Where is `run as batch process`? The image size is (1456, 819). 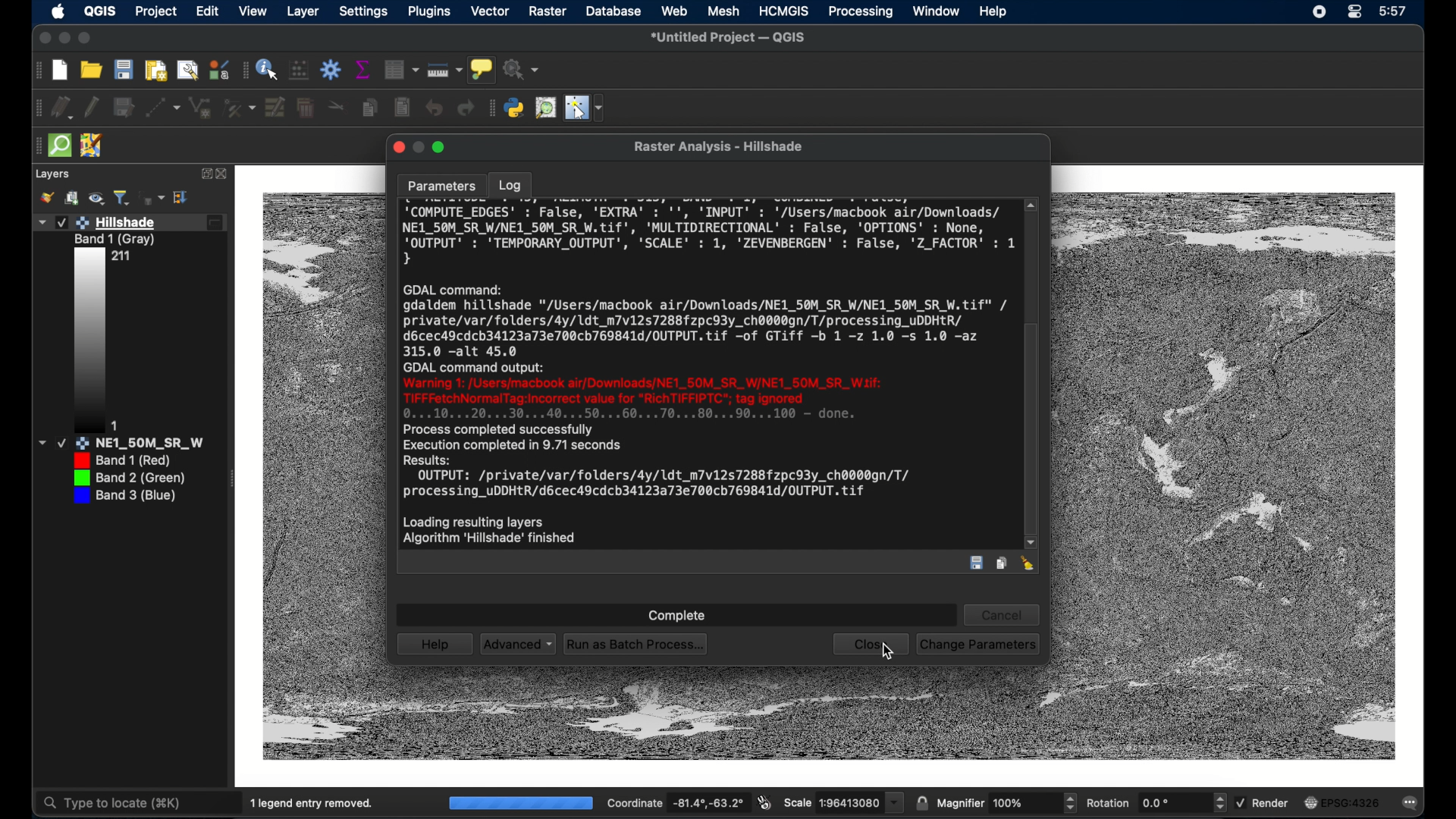 run as batch process is located at coordinates (635, 644).